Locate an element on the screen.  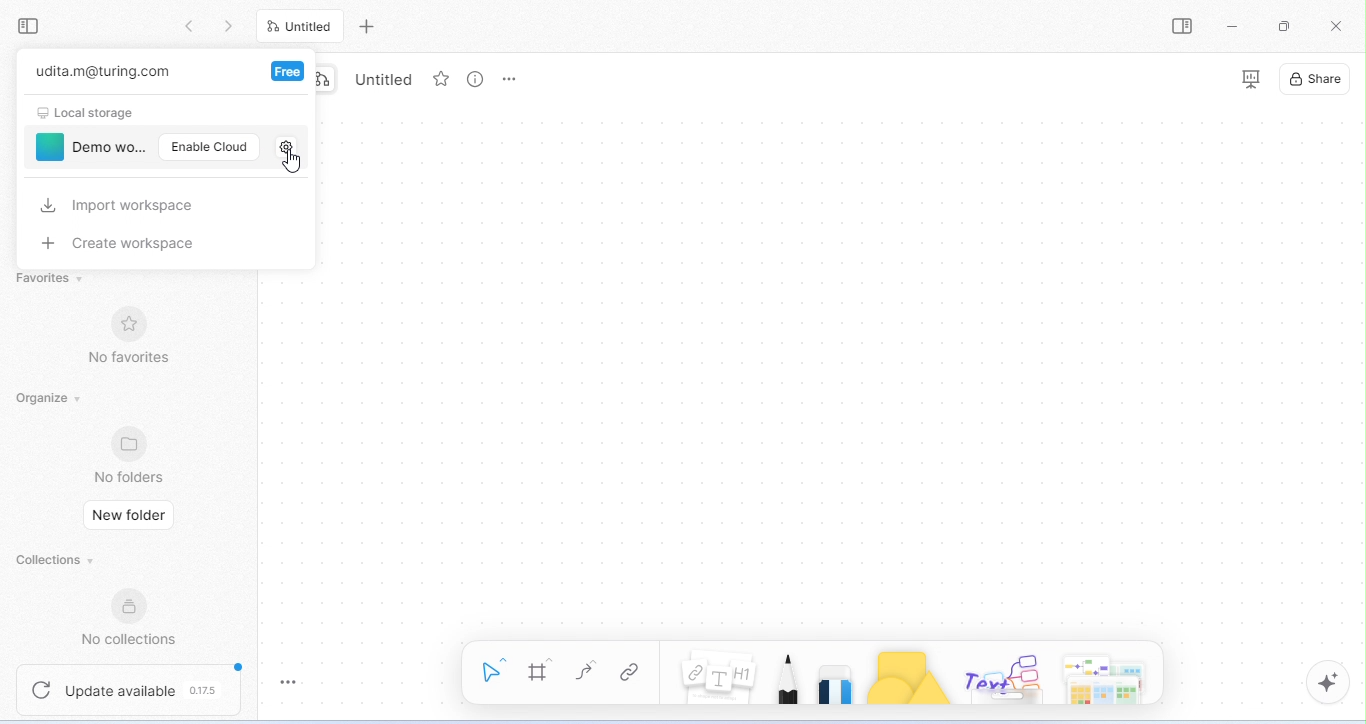
demo workspace is located at coordinates (91, 145).